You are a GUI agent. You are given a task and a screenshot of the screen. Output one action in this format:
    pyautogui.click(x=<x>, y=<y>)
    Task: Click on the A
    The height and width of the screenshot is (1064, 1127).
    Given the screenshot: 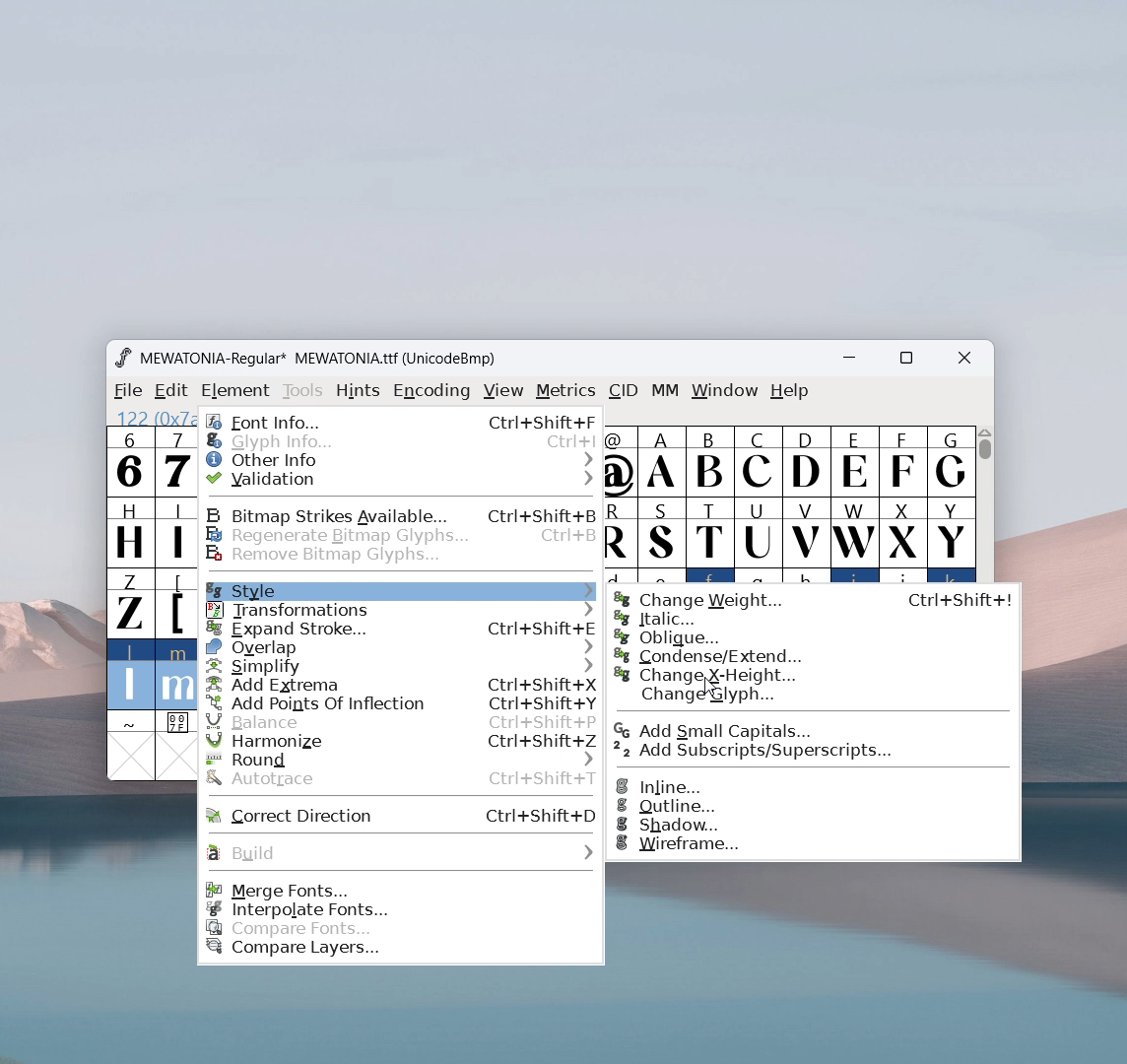 What is the action you would take?
    pyautogui.click(x=663, y=462)
    